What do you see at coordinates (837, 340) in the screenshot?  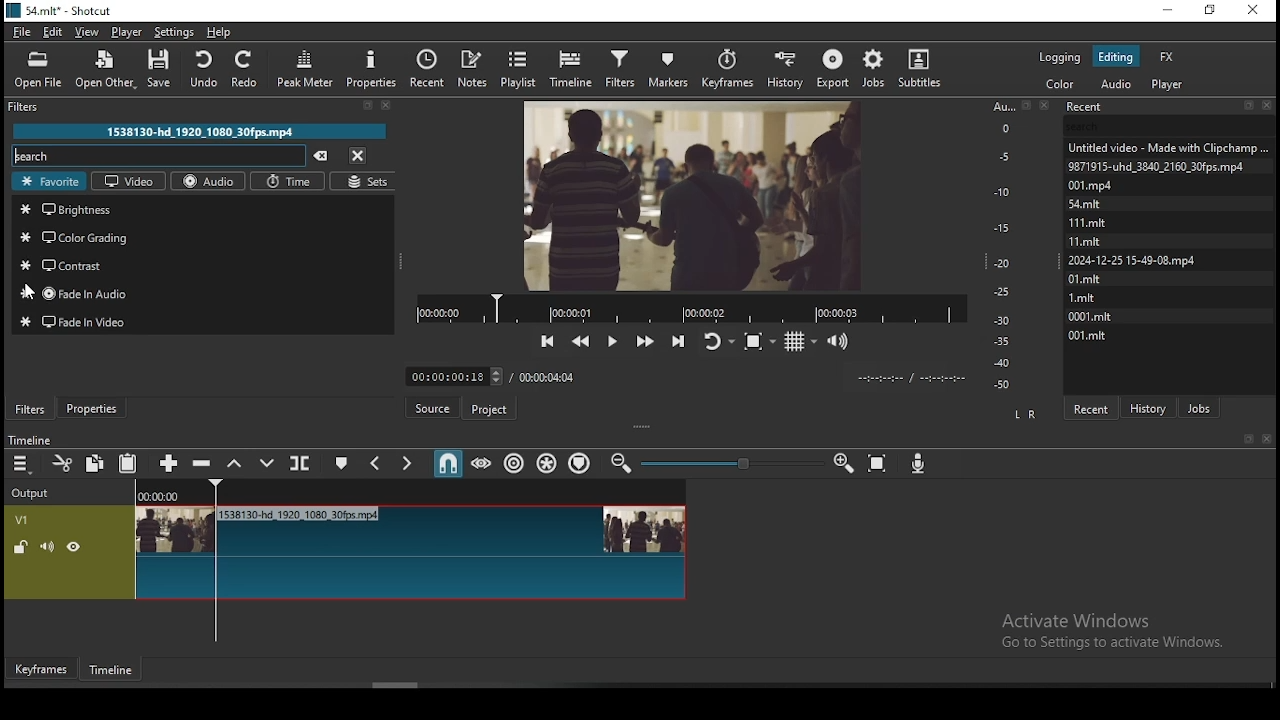 I see `volume control` at bounding box center [837, 340].